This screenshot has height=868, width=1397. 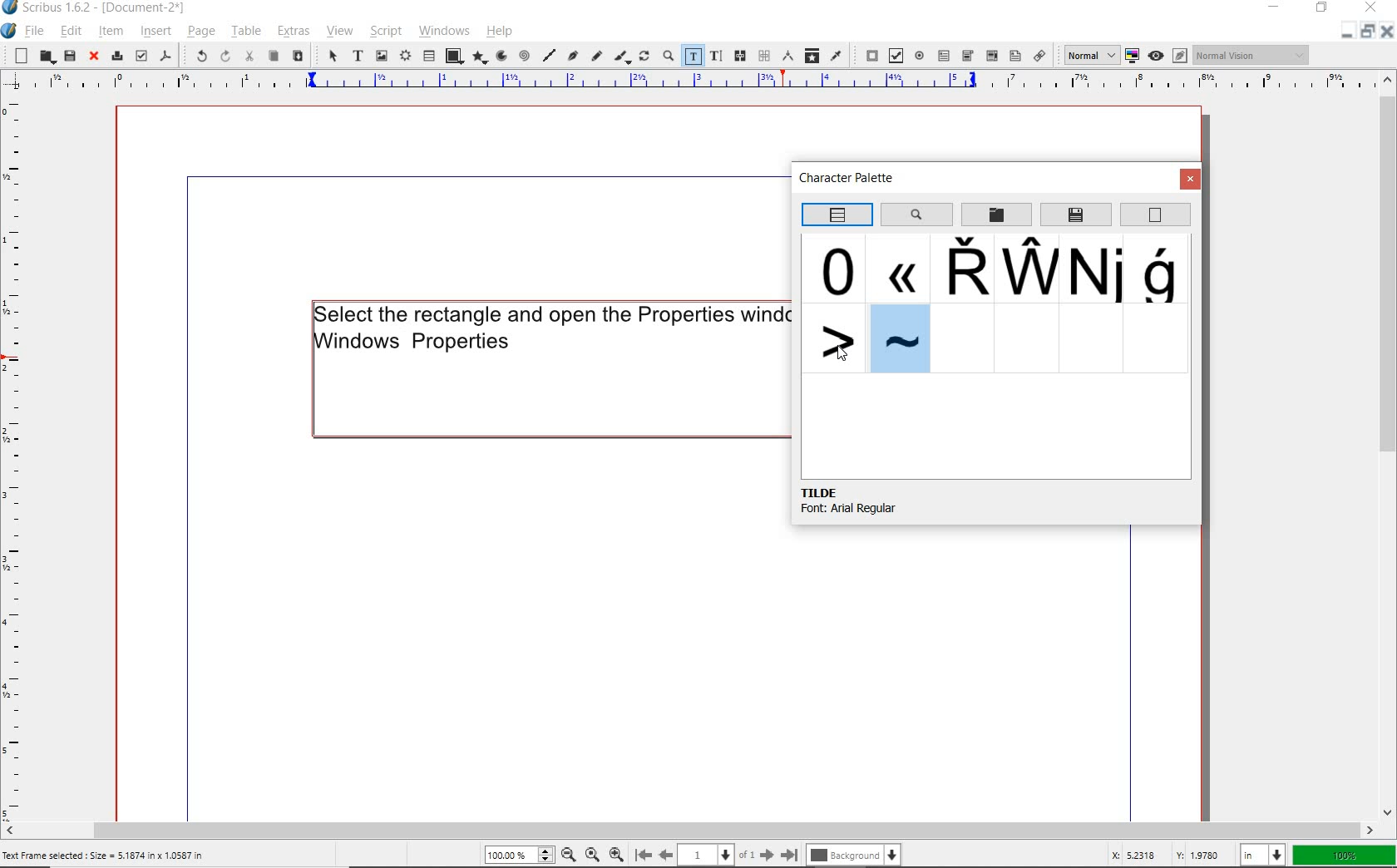 I want to click on zoom in or zoom out, so click(x=666, y=57).